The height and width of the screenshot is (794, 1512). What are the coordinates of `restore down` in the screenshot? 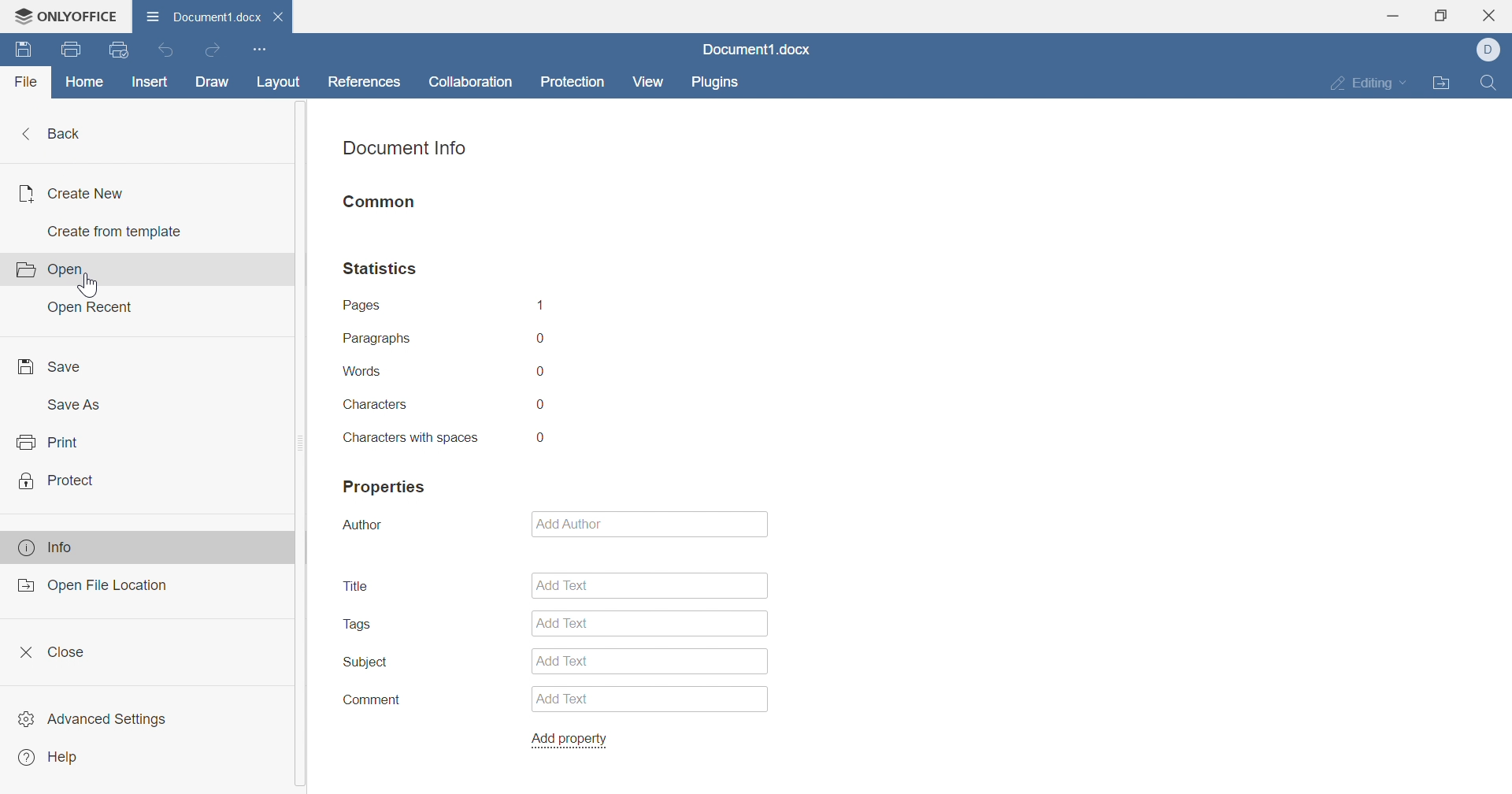 It's located at (1443, 13).